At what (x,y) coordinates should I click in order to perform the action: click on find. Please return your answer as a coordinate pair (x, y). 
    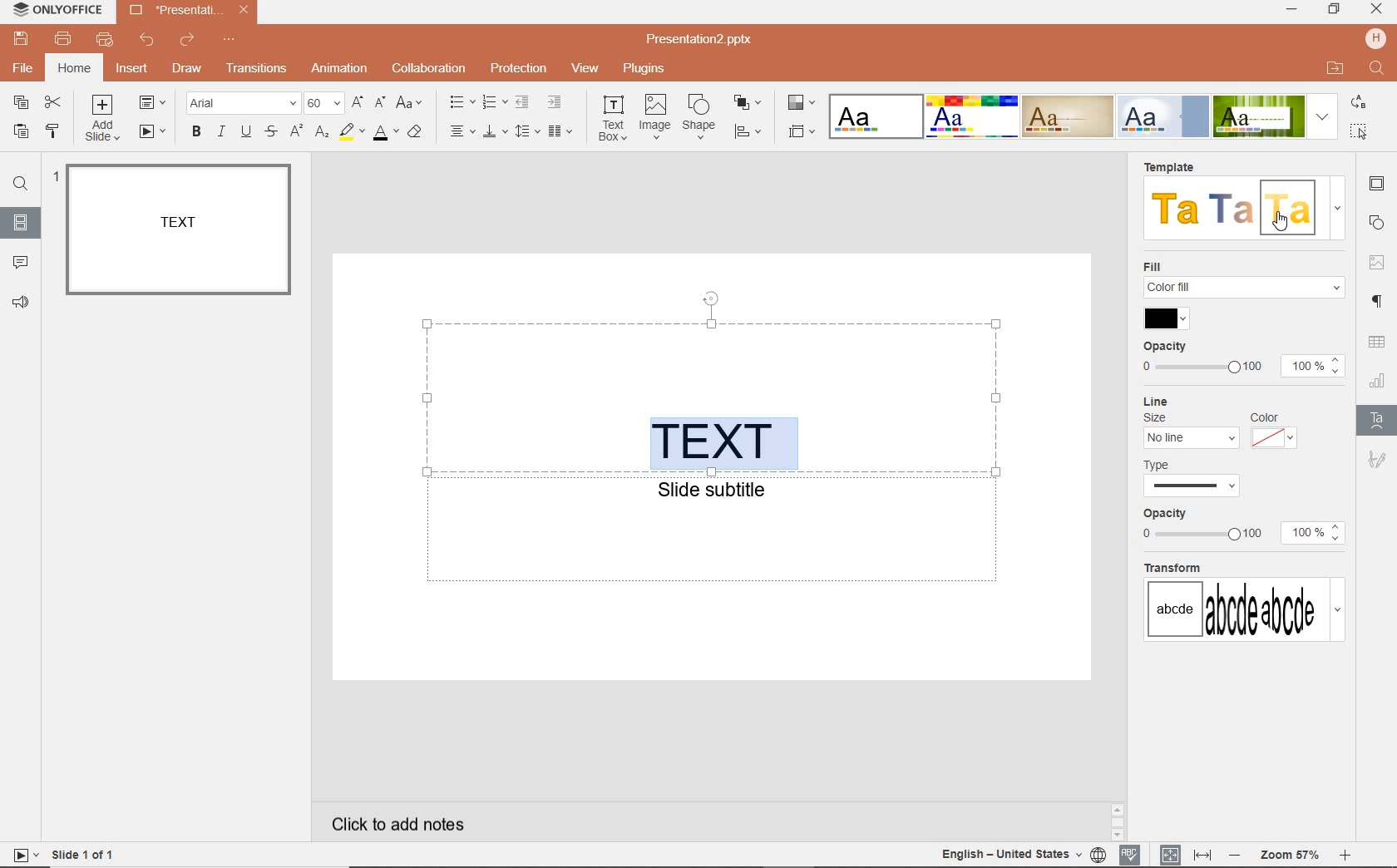
    Looking at the image, I should click on (1378, 70).